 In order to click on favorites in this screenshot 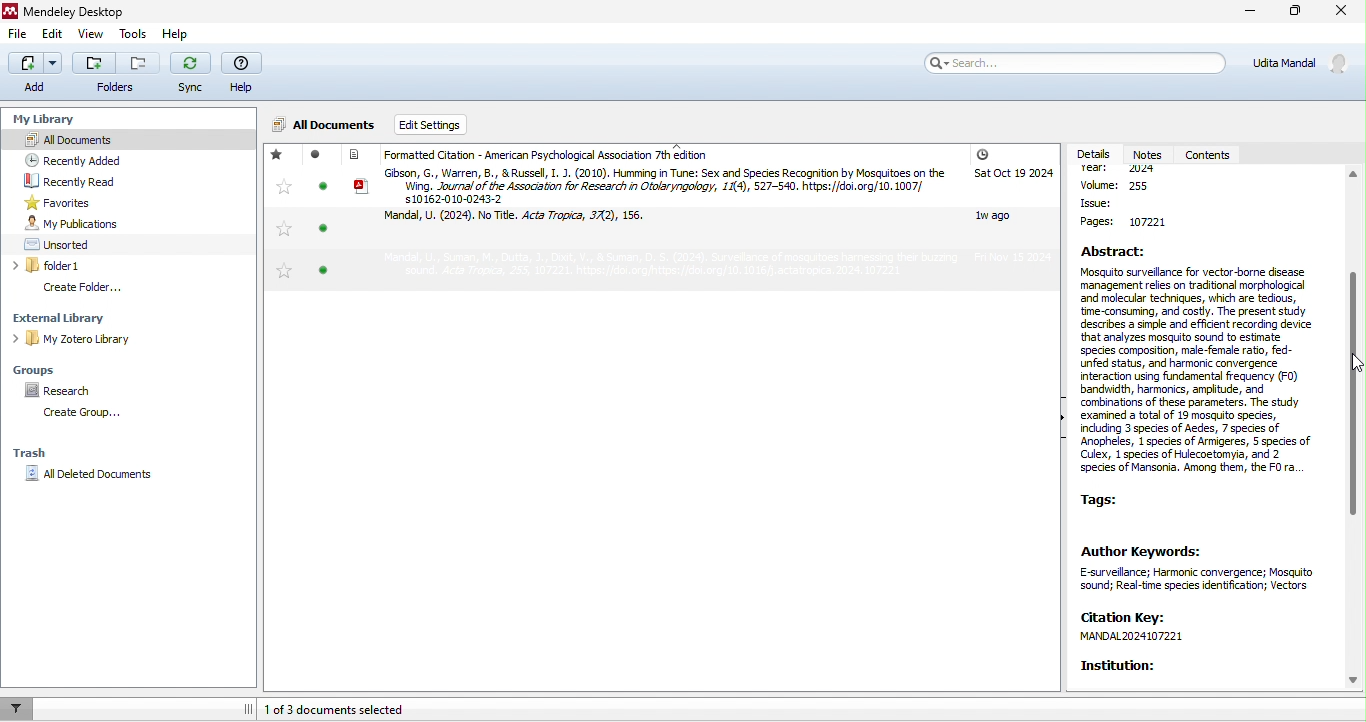, I will do `click(281, 214)`.